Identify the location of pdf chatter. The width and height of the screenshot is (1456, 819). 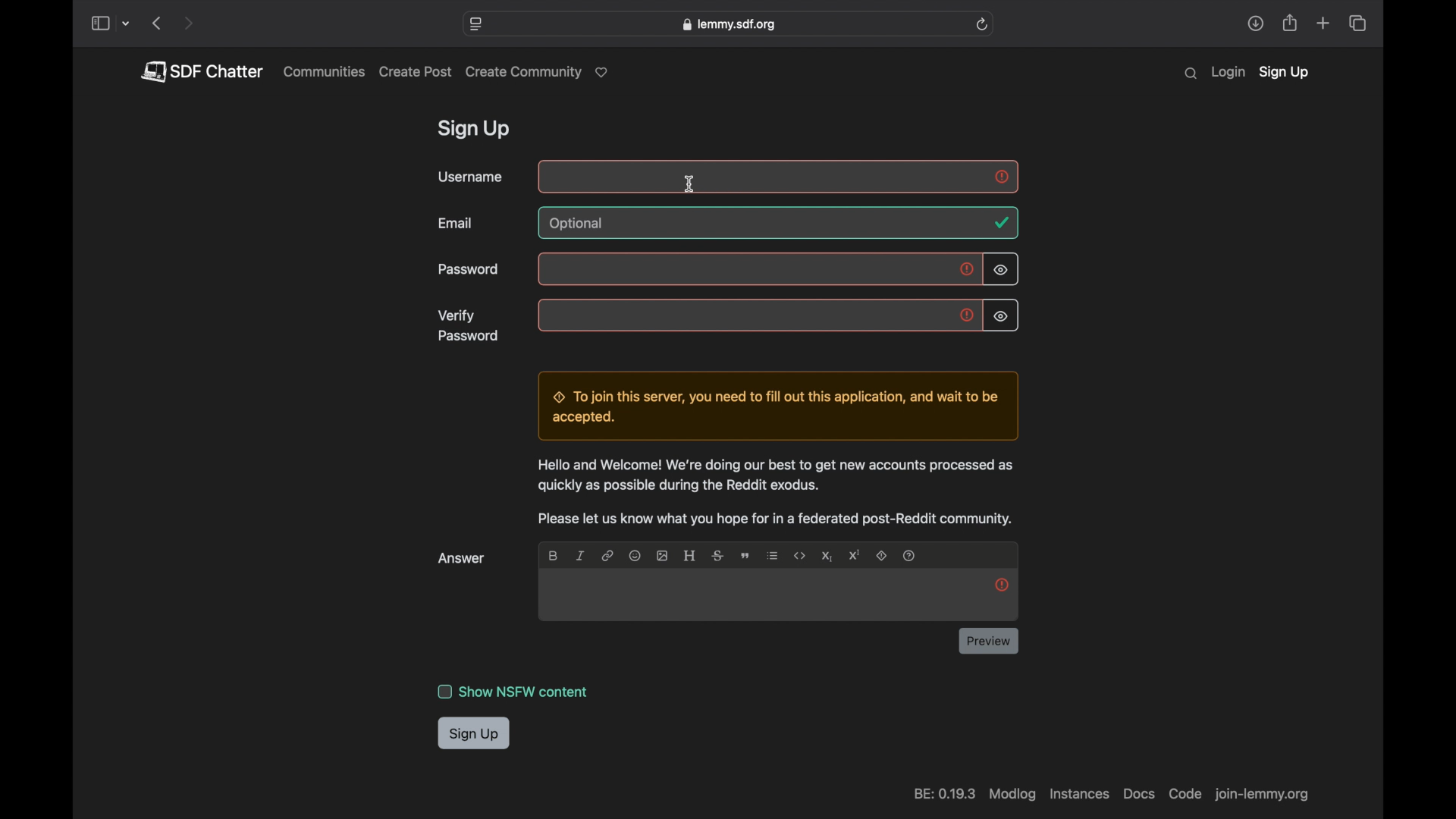
(201, 71).